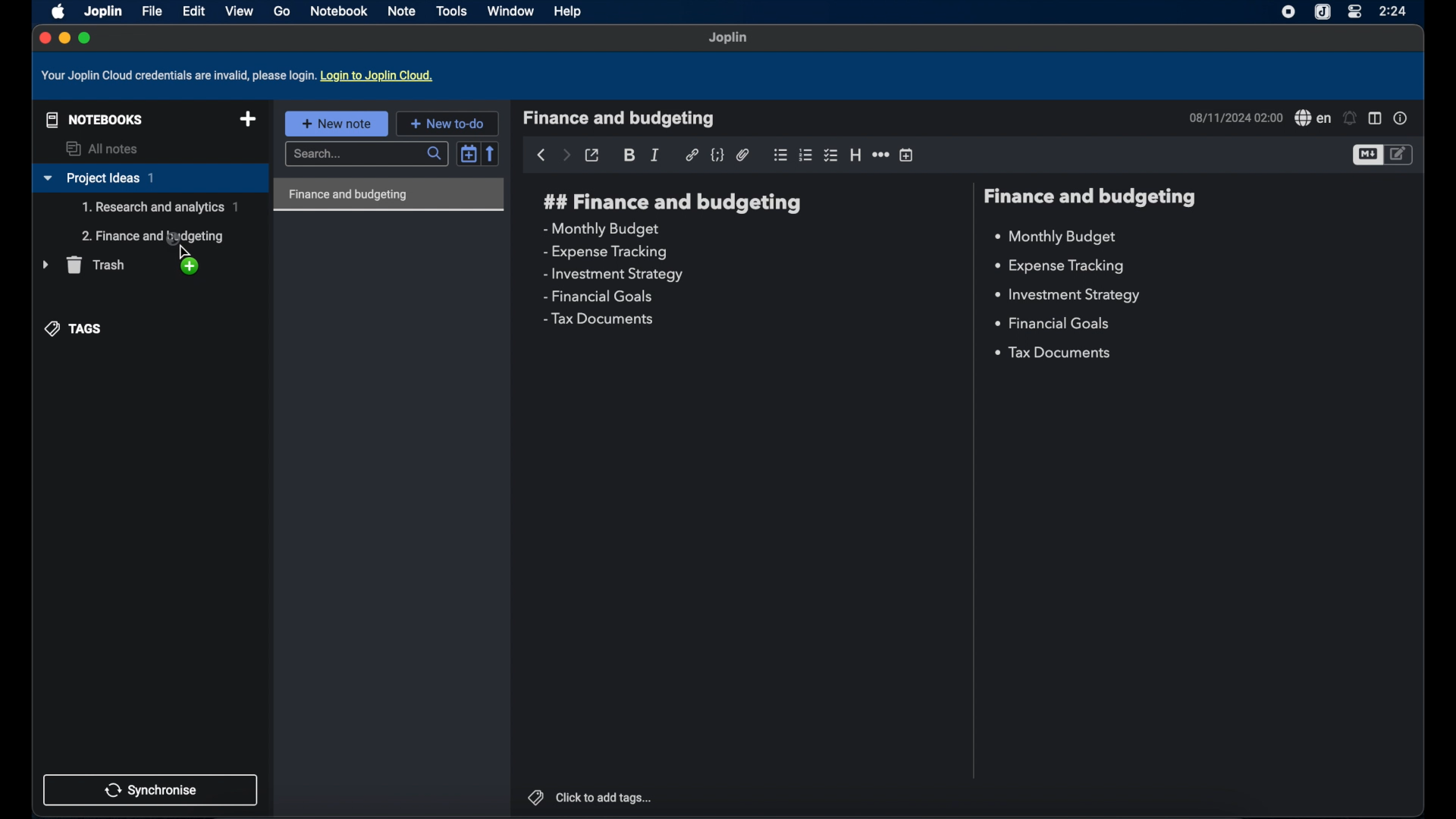 The height and width of the screenshot is (819, 1456). What do you see at coordinates (630, 155) in the screenshot?
I see `bold` at bounding box center [630, 155].